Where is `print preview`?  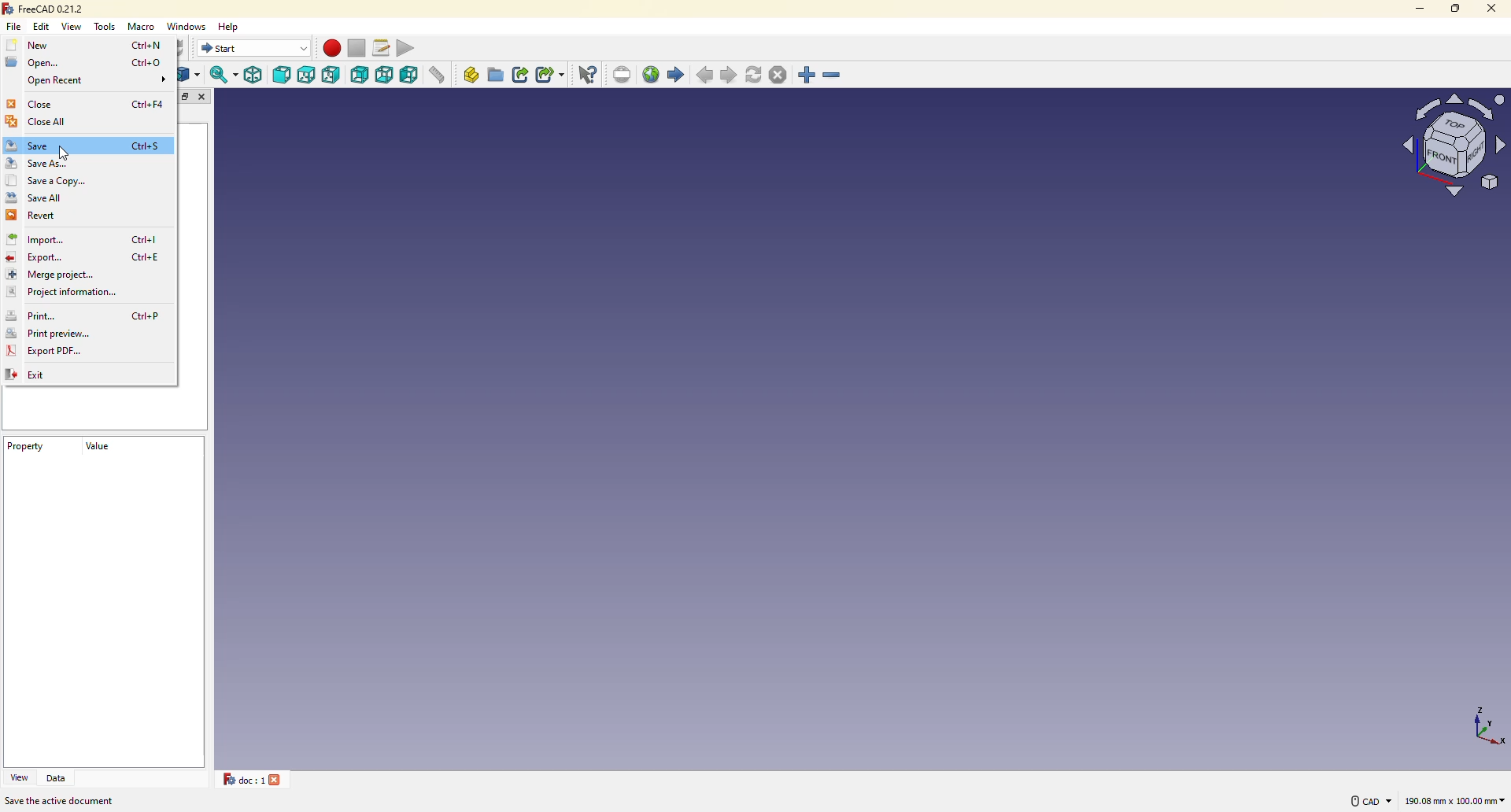
print preview is located at coordinates (48, 335).